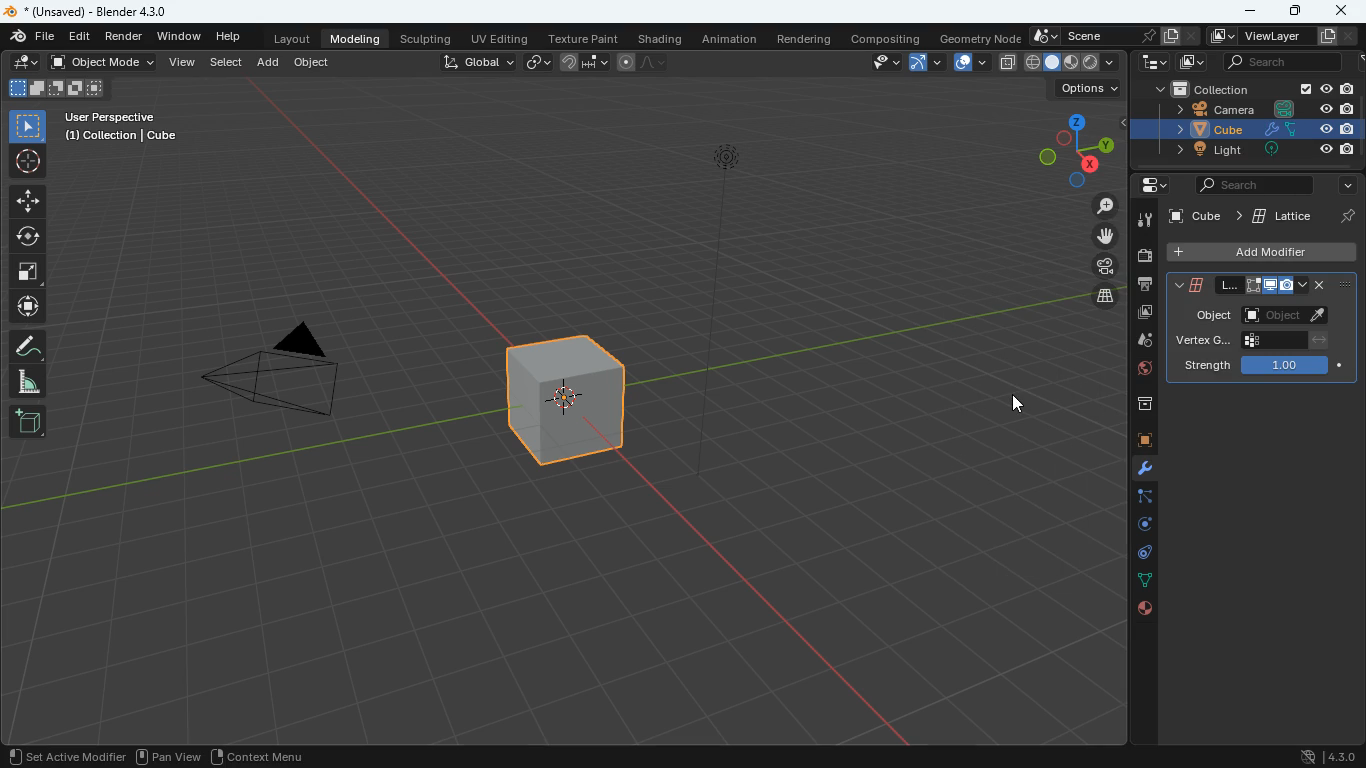  I want to click on blender, so click(96, 10).